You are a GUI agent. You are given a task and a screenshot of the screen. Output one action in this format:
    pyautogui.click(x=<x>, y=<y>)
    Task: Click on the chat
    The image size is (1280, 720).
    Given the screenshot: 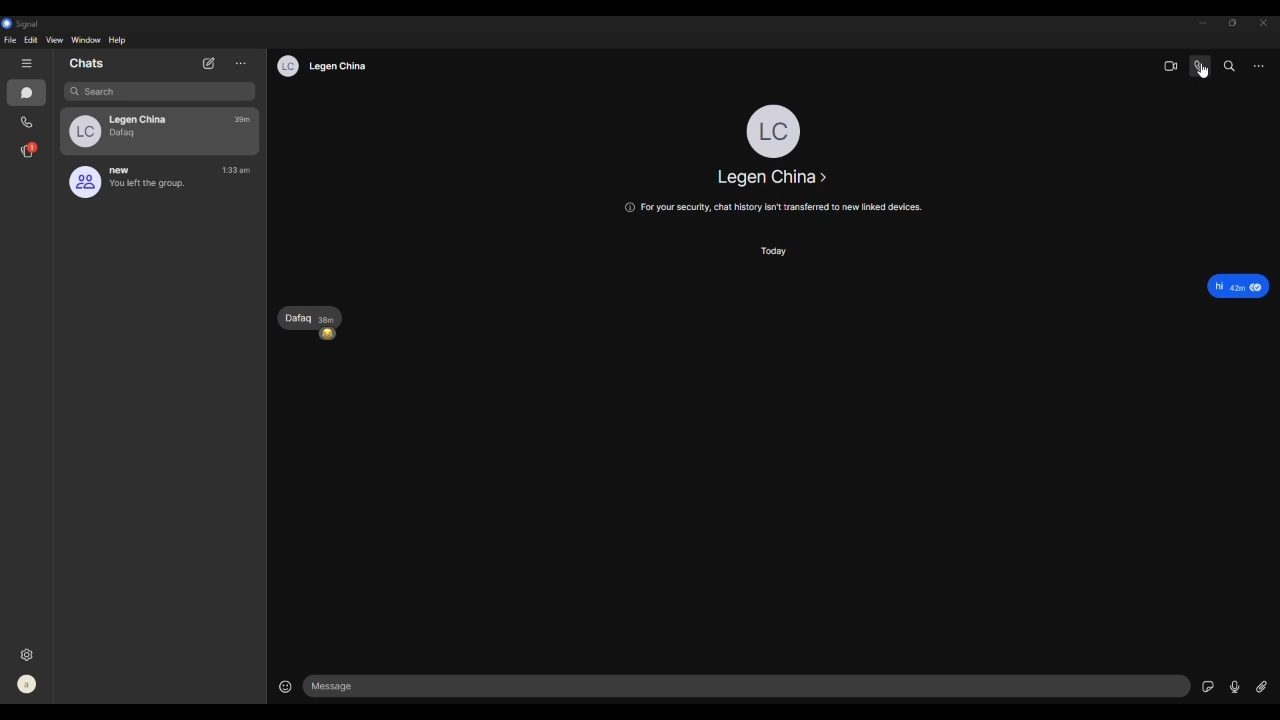 What is the action you would take?
    pyautogui.click(x=31, y=93)
    